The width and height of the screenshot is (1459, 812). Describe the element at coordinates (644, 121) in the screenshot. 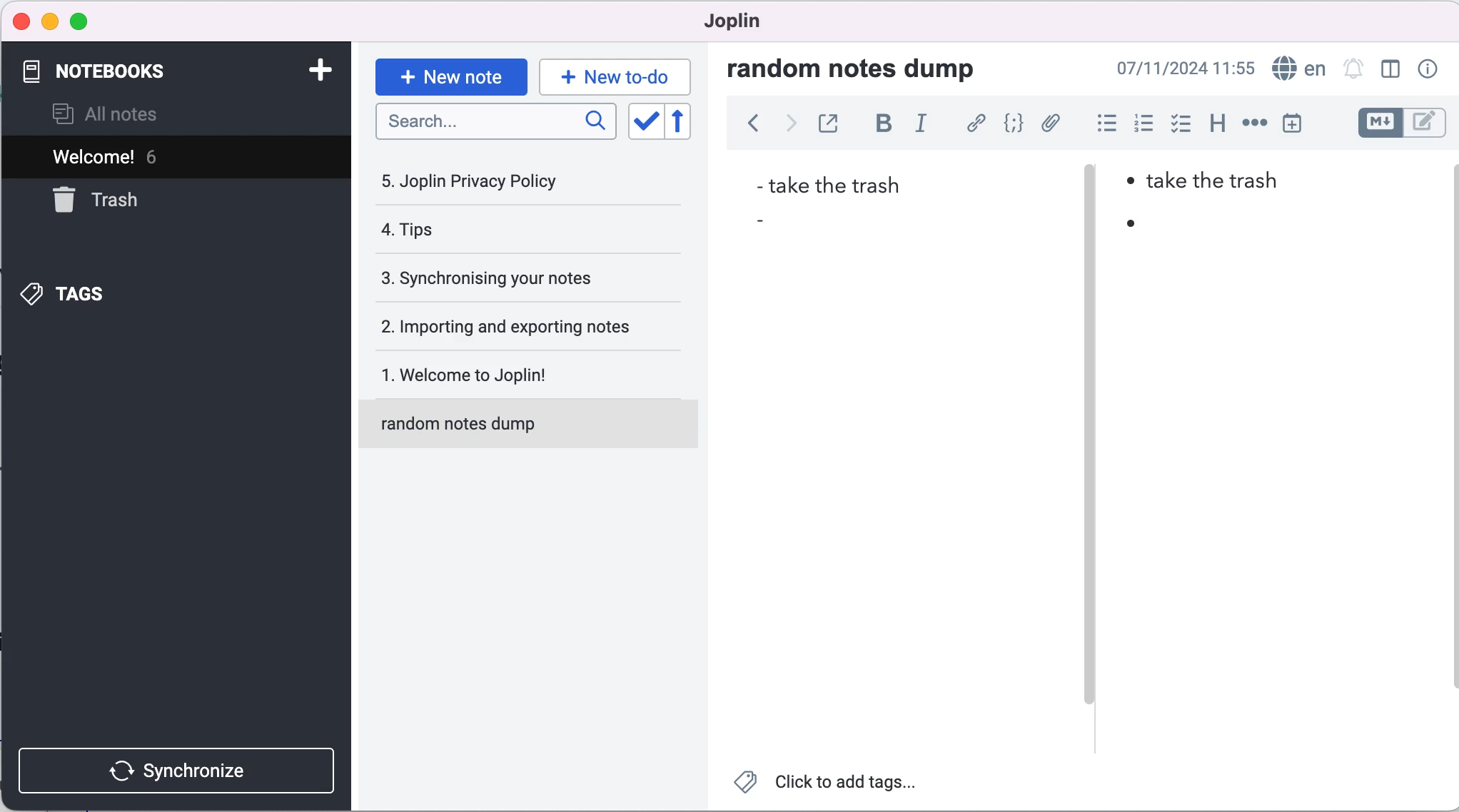

I see `toggle sort order field` at that location.